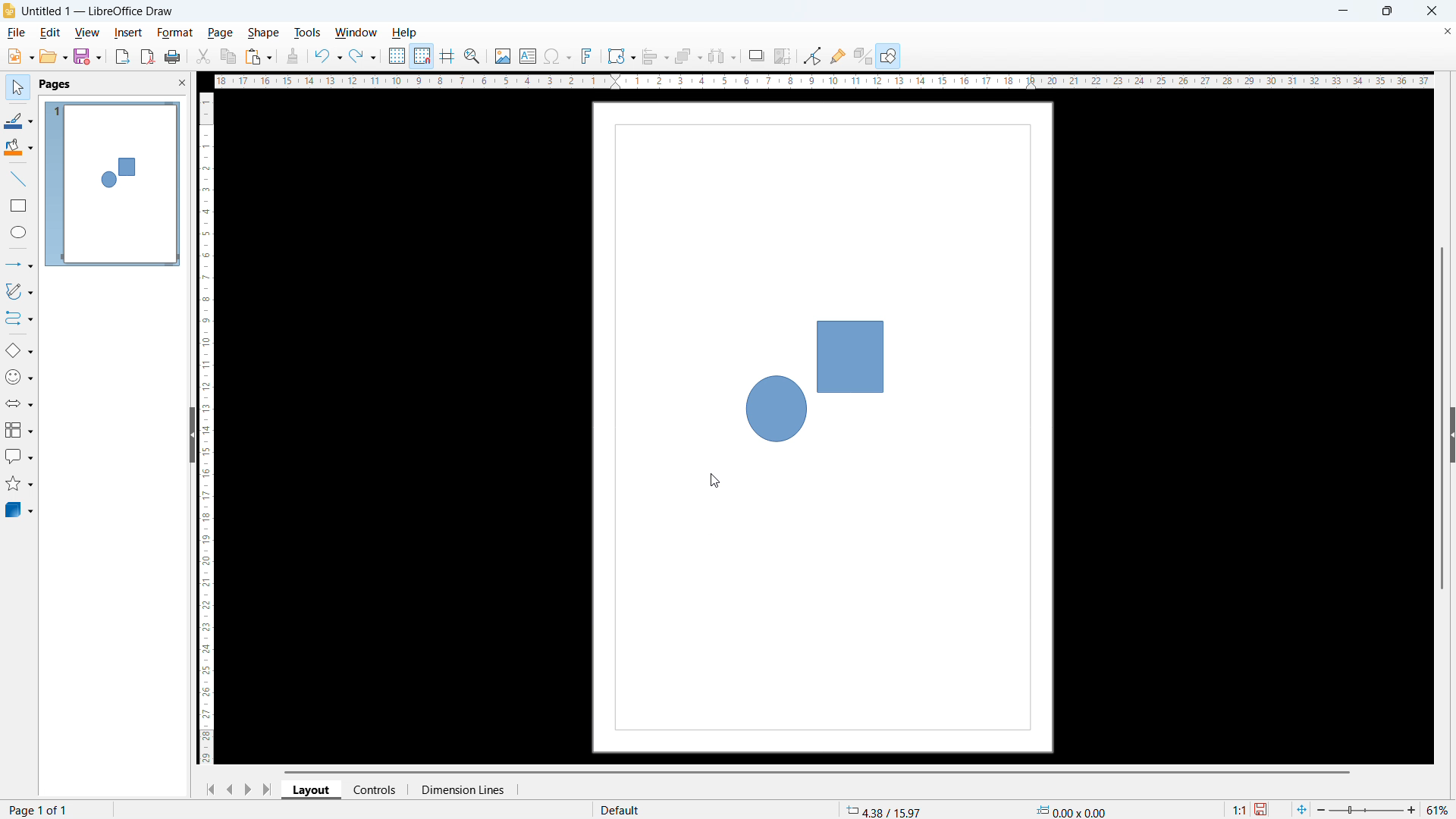 The image size is (1456, 819). I want to click on zoom level, so click(1439, 809).